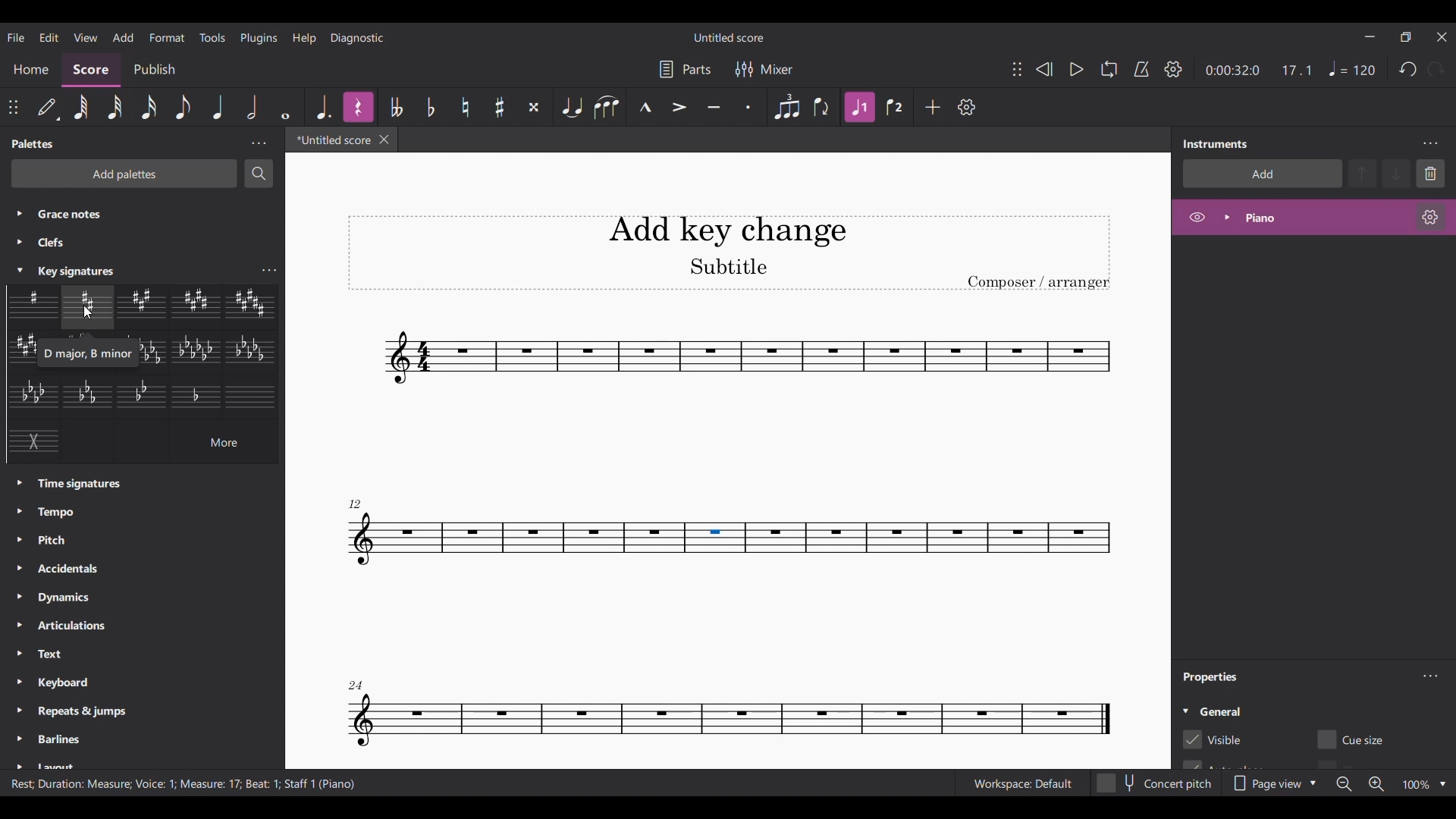 This screenshot has height=819, width=1456. I want to click on Current tab, so click(332, 140).